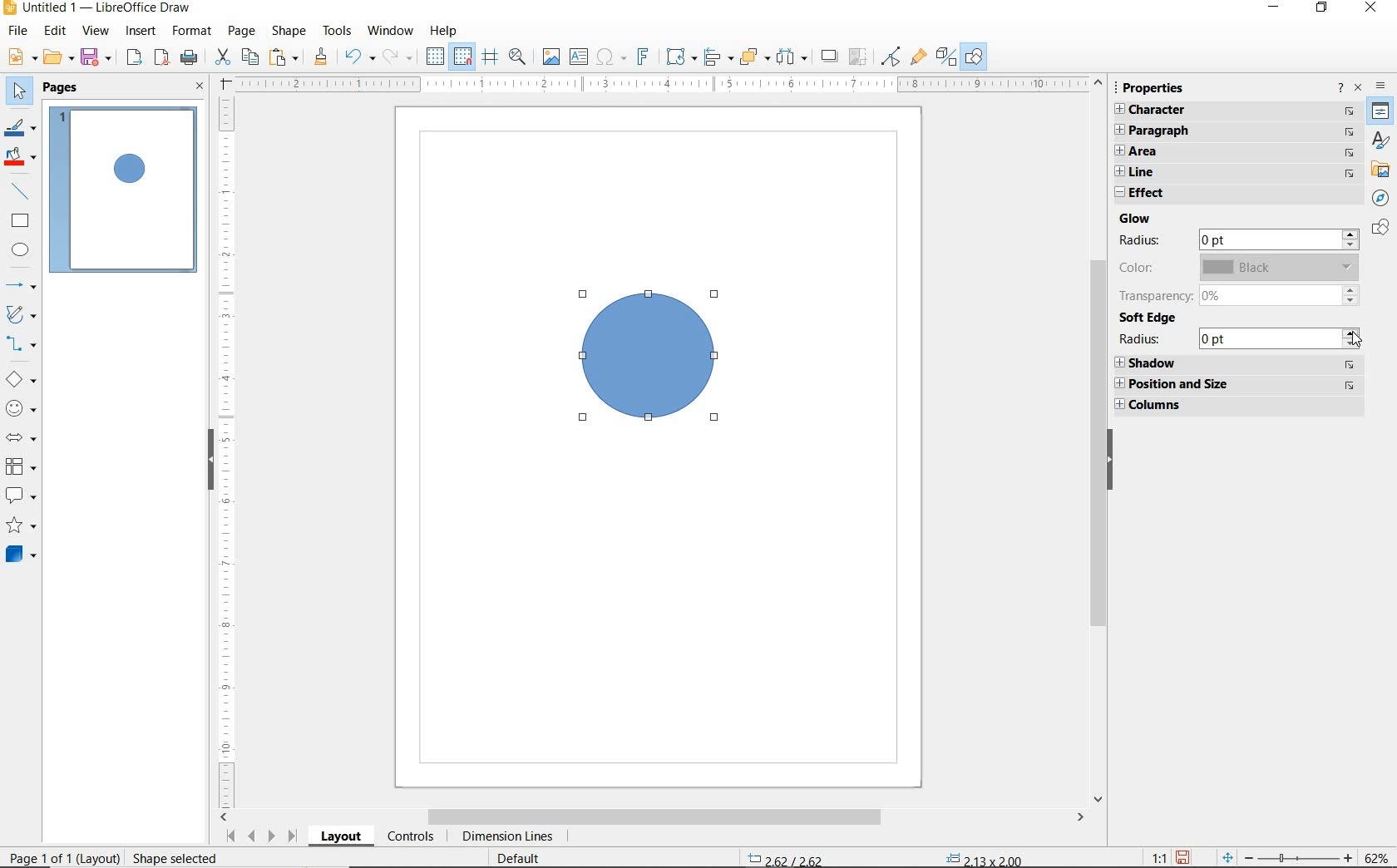  What do you see at coordinates (23, 57) in the screenshot?
I see `NEW` at bounding box center [23, 57].